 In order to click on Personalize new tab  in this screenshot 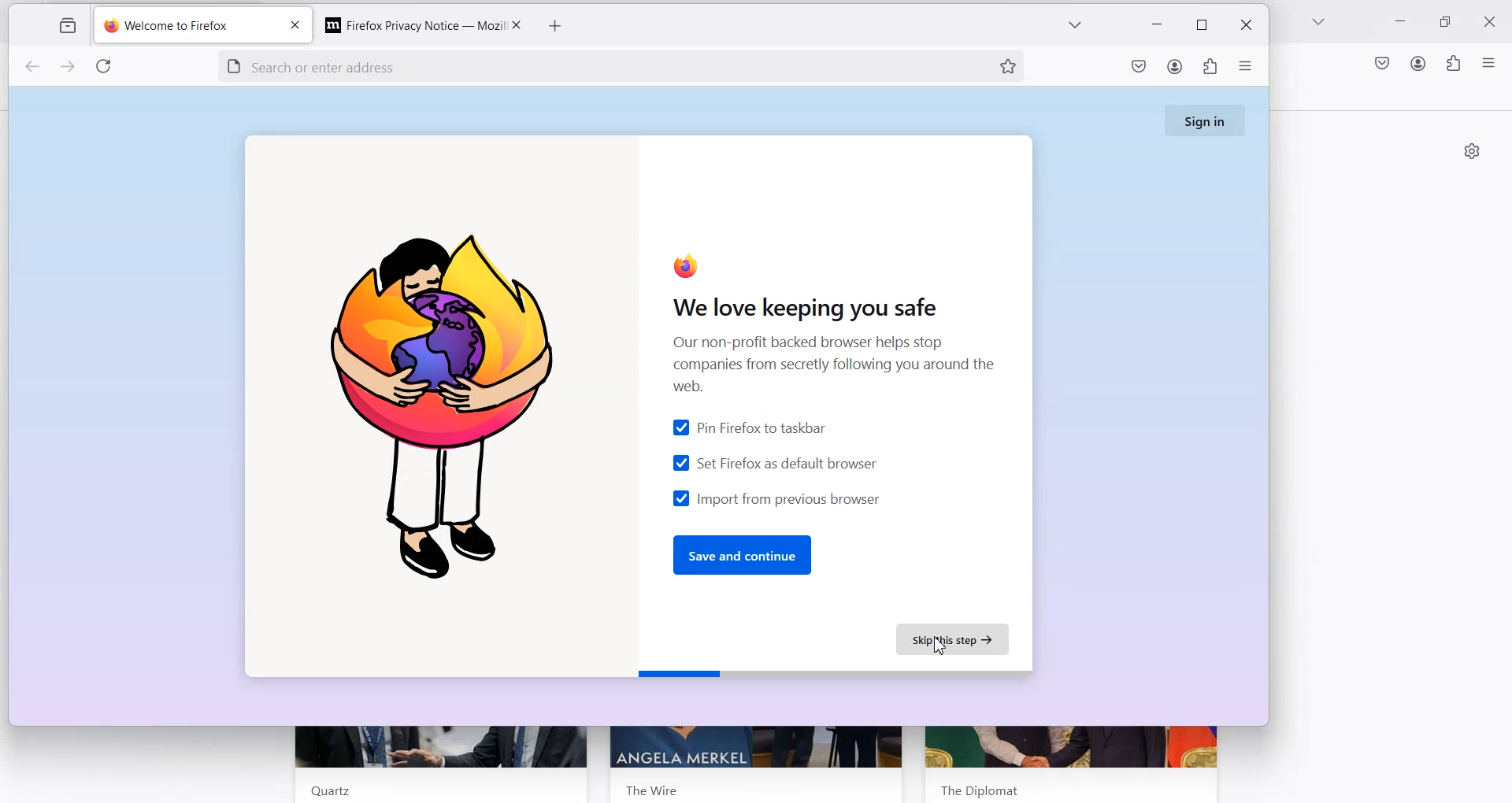, I will do `click(1472, 150)`.